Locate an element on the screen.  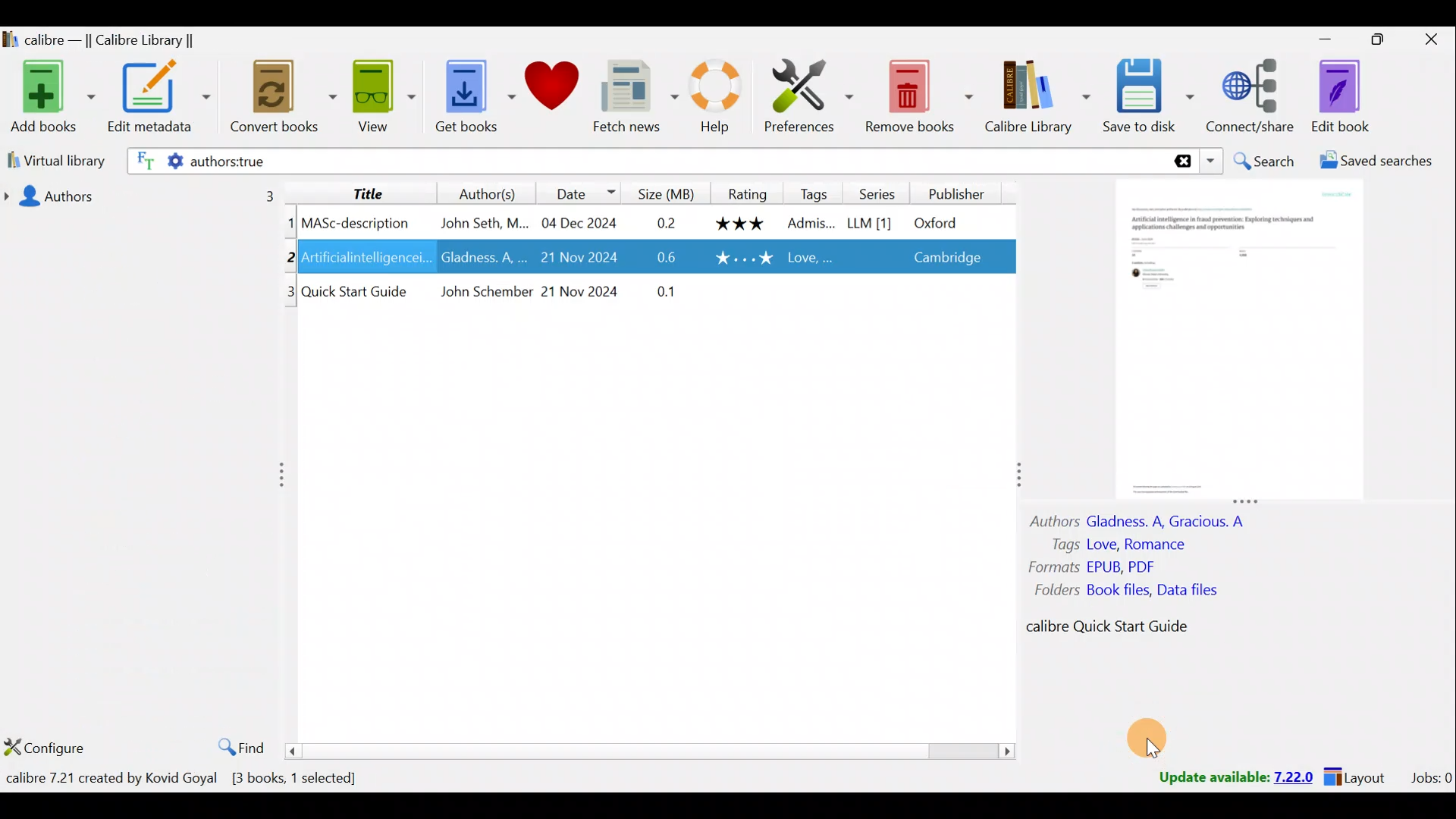
Close is located at coordinates (1426, 42).